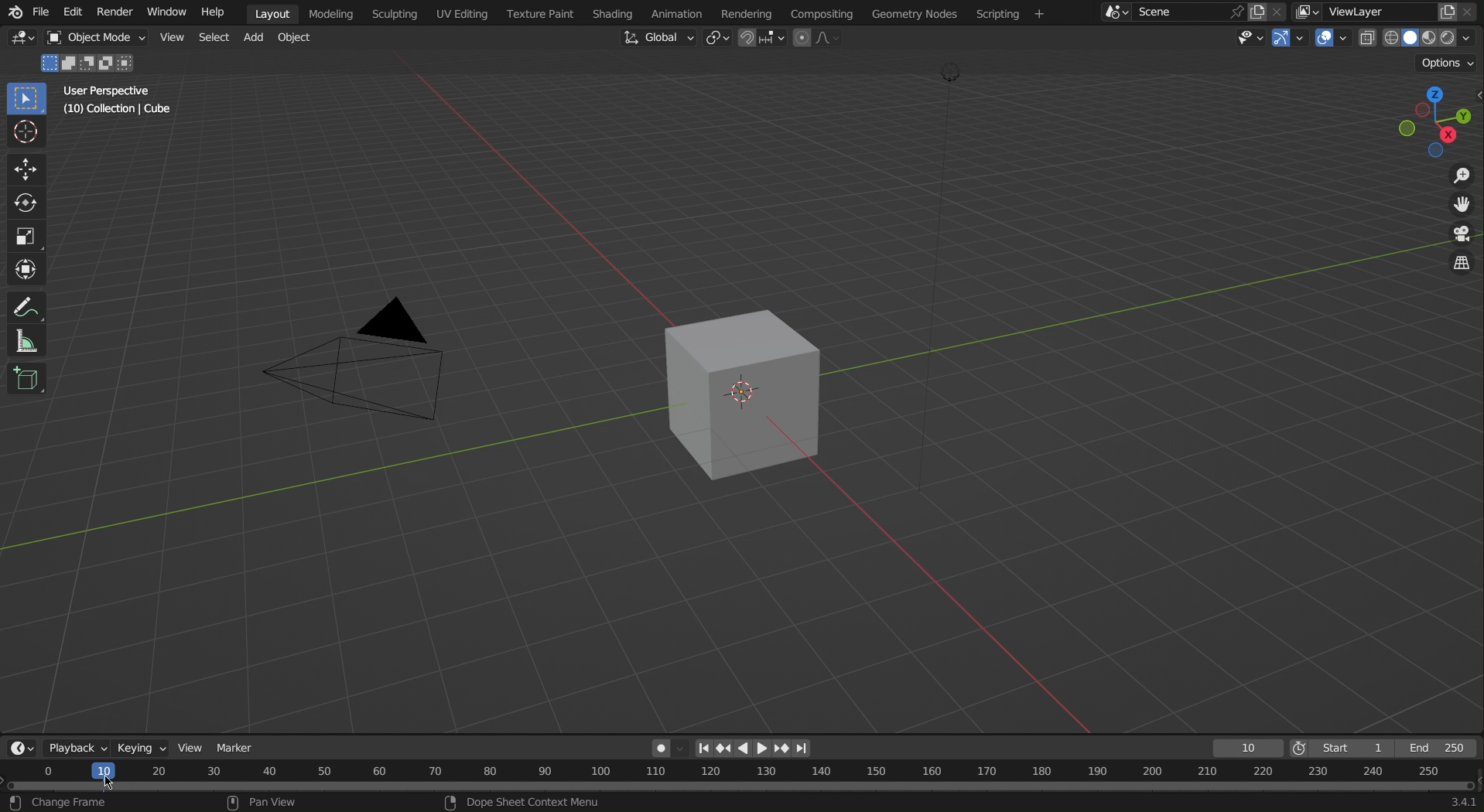 Image resolution: width=1484 pixels, height=812 pixels. I want to click on Texture Paint, so click(536, 13).